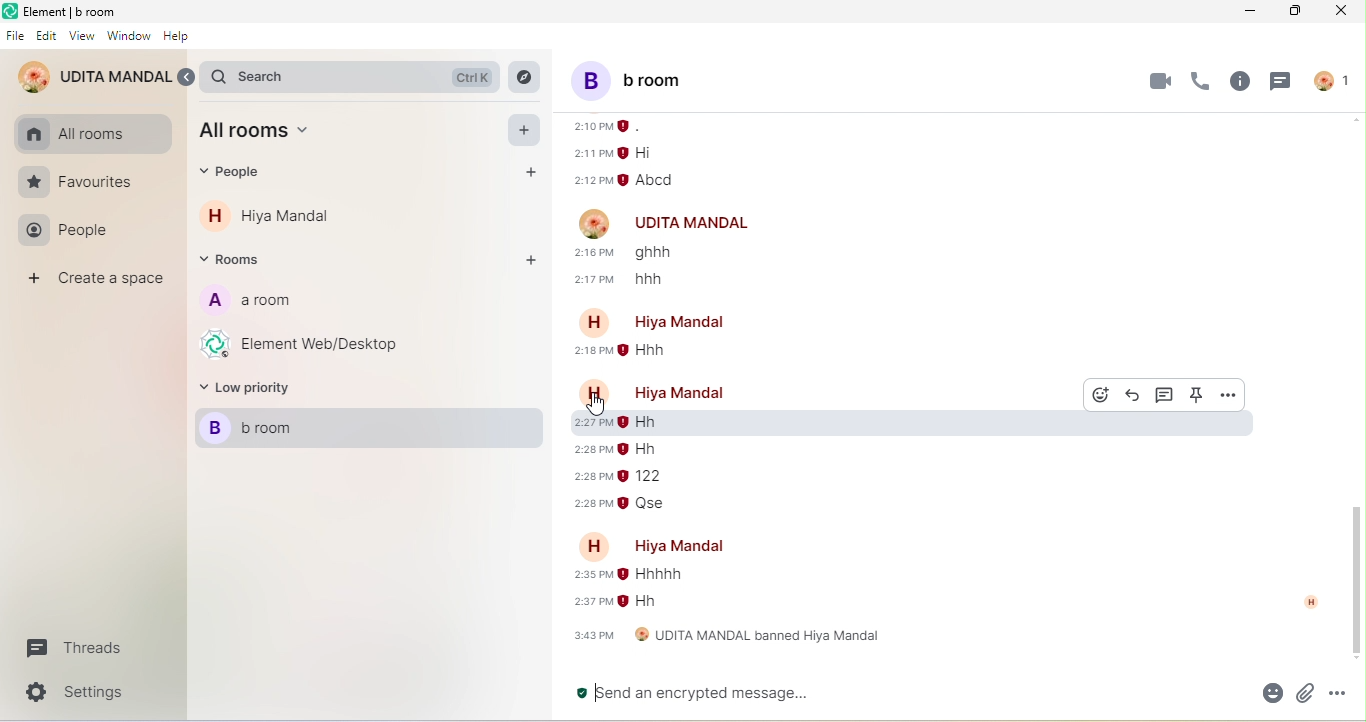  What do you see at coordinates (661, 180) in the screenshot?
I see `abcd` at bounding box center [661, 180].